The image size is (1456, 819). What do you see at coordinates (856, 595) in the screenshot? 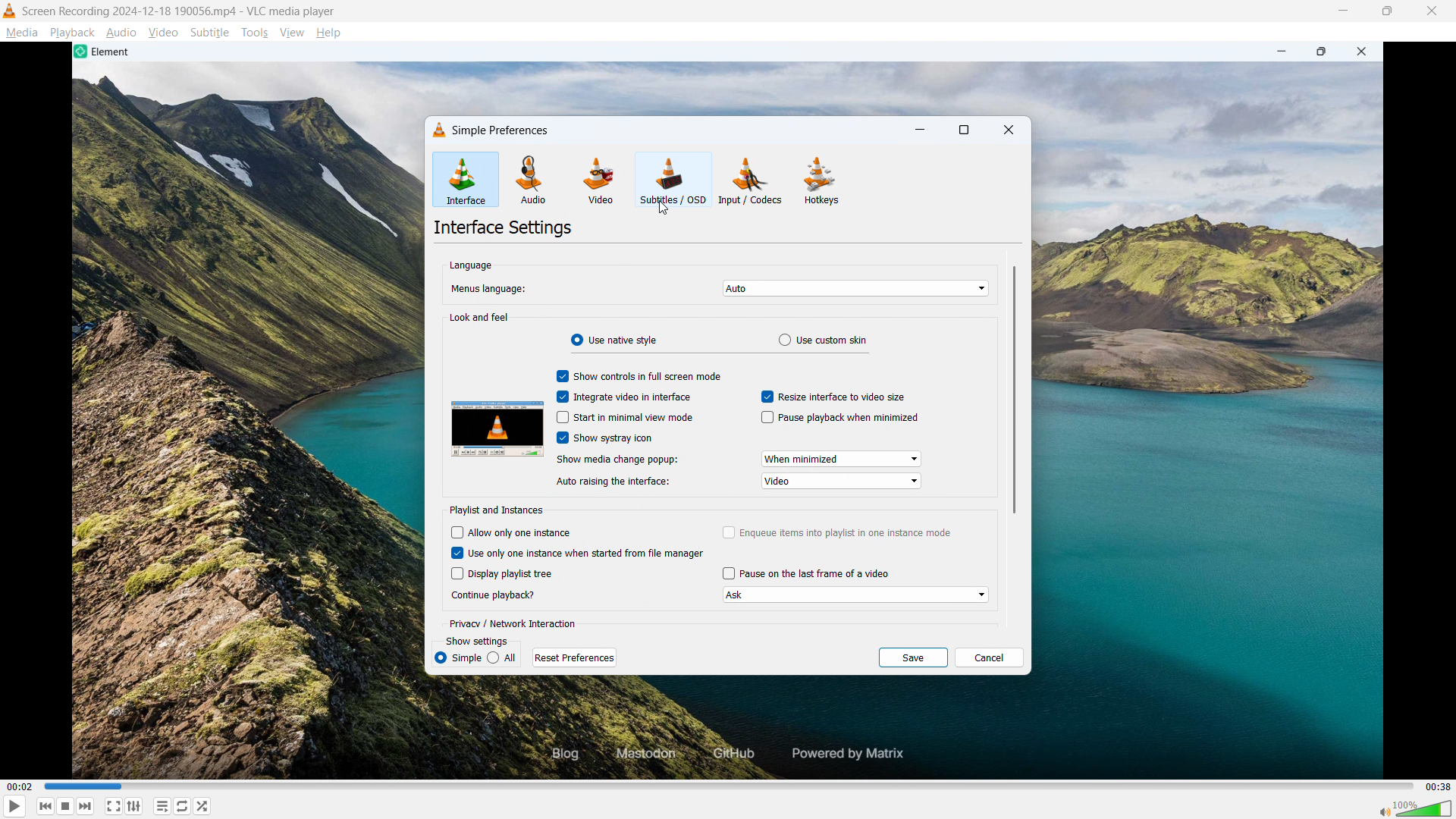
I see `Ask` at bounding box center [856, 595].